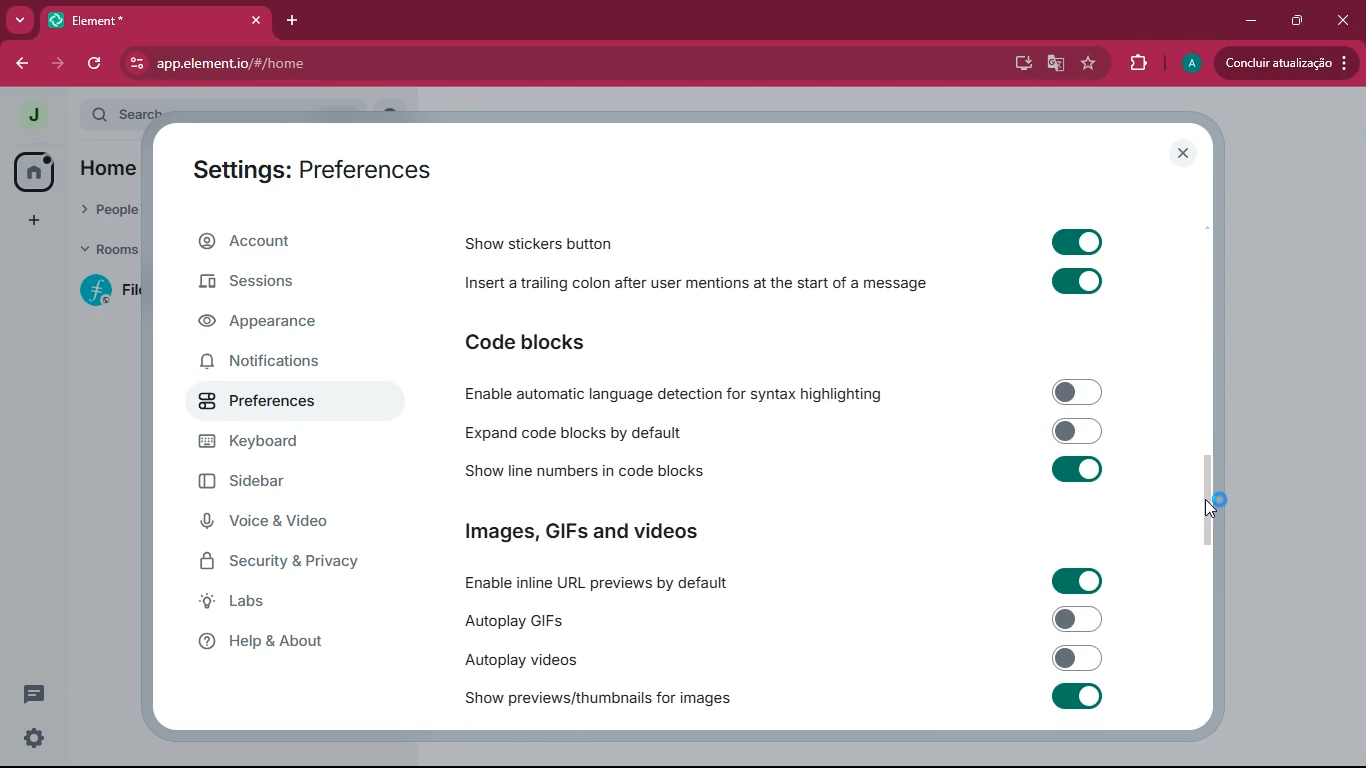 Image resolution: width=1366 pixels, height=768 pixels. I want to click on Keyboard, so click(271, 442).